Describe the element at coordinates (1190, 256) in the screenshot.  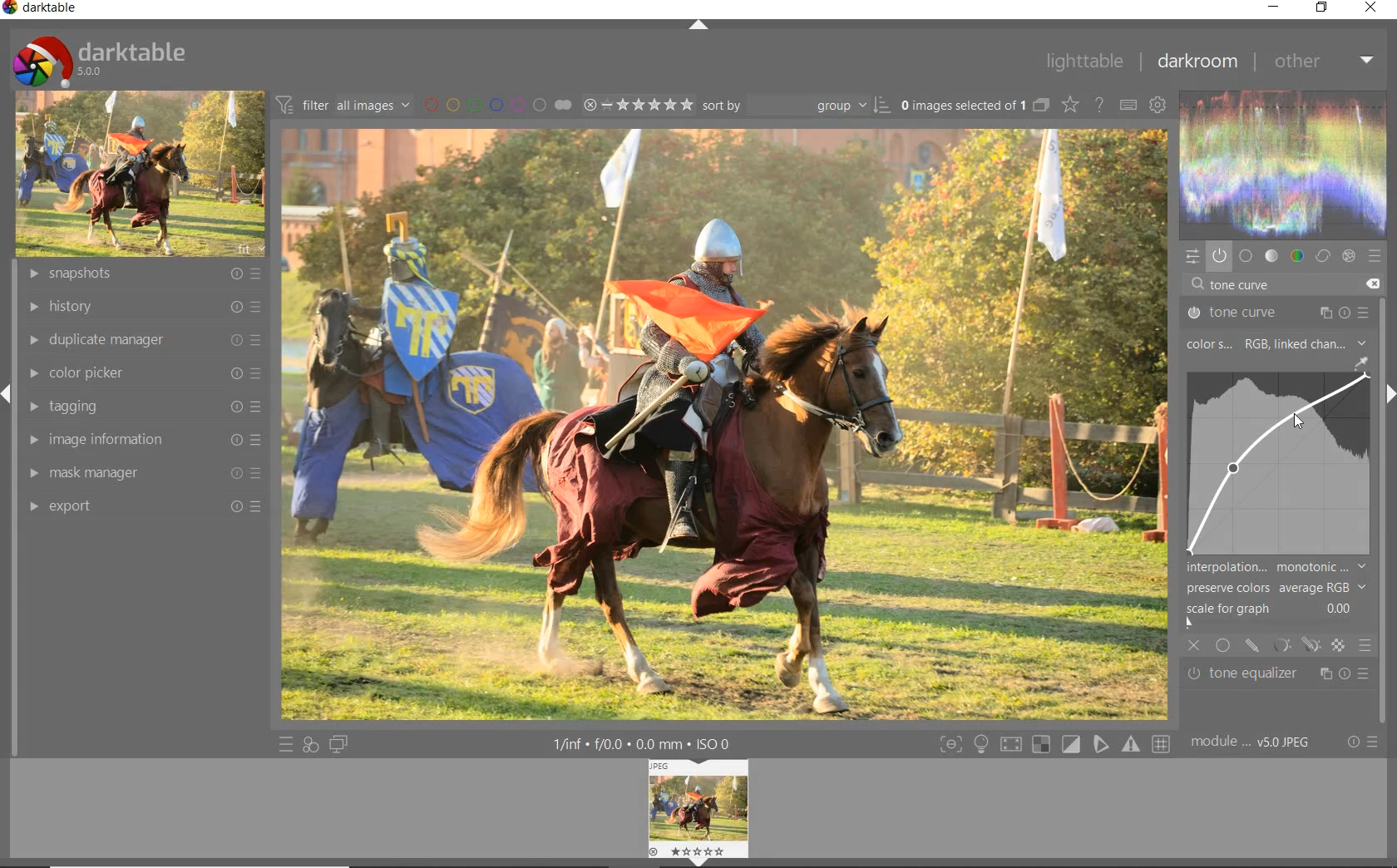
I see `quick access panel` at that location.